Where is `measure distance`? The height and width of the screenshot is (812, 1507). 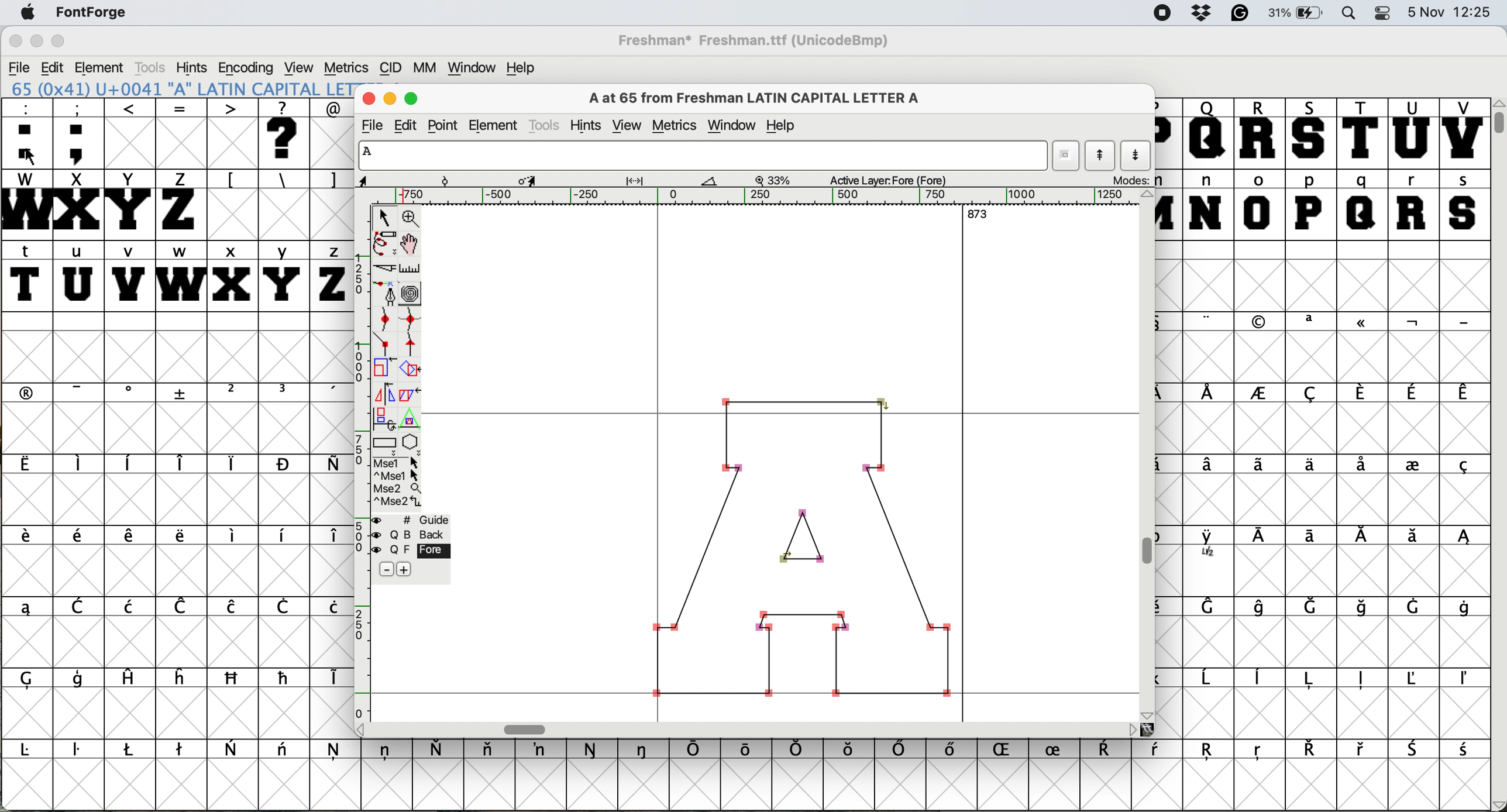
measure distance is located at coordinates (411, 268).